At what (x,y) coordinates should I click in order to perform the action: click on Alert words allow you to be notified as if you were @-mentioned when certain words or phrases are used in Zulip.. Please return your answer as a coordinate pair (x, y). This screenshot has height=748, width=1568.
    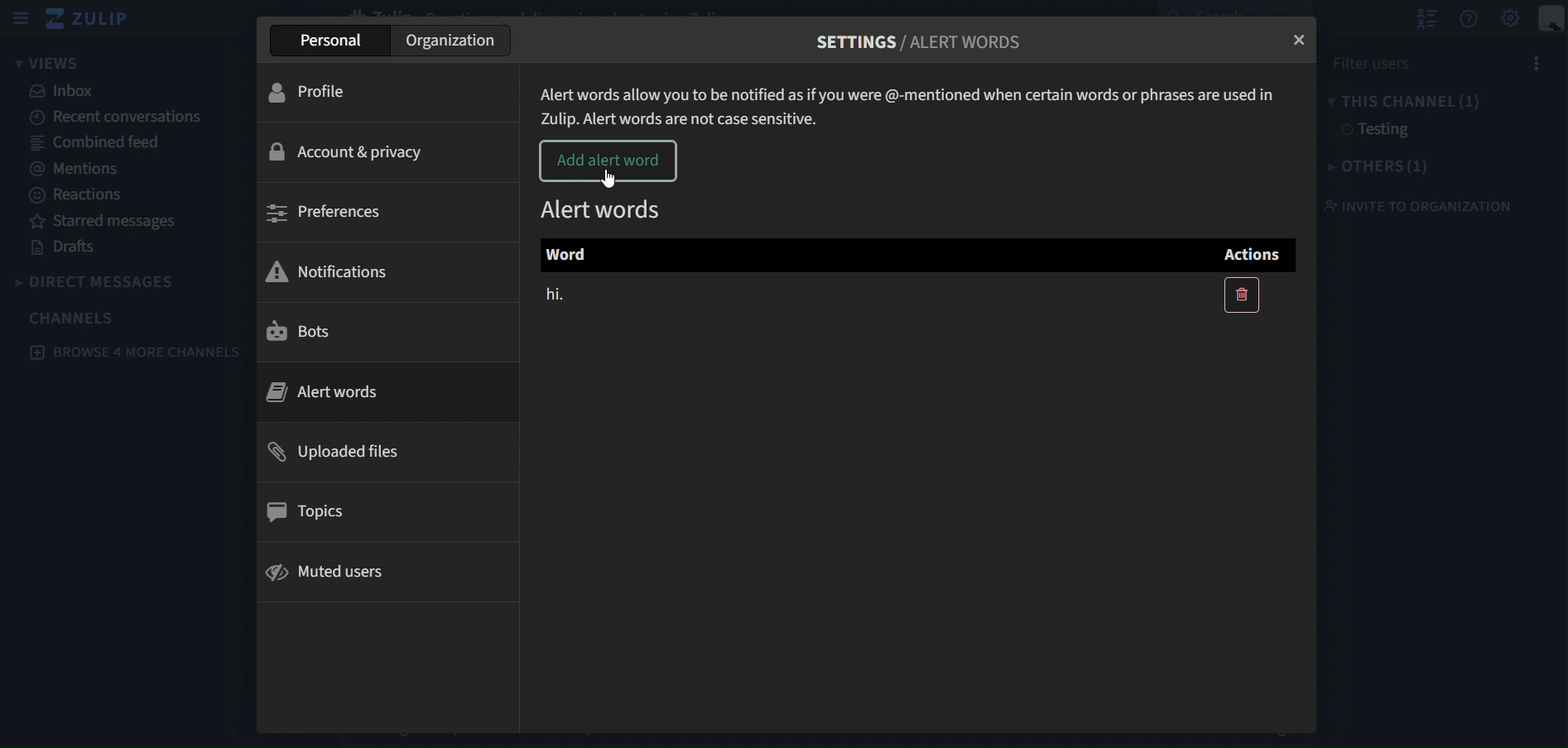
    Looking at the image, I should click on (906, 102).